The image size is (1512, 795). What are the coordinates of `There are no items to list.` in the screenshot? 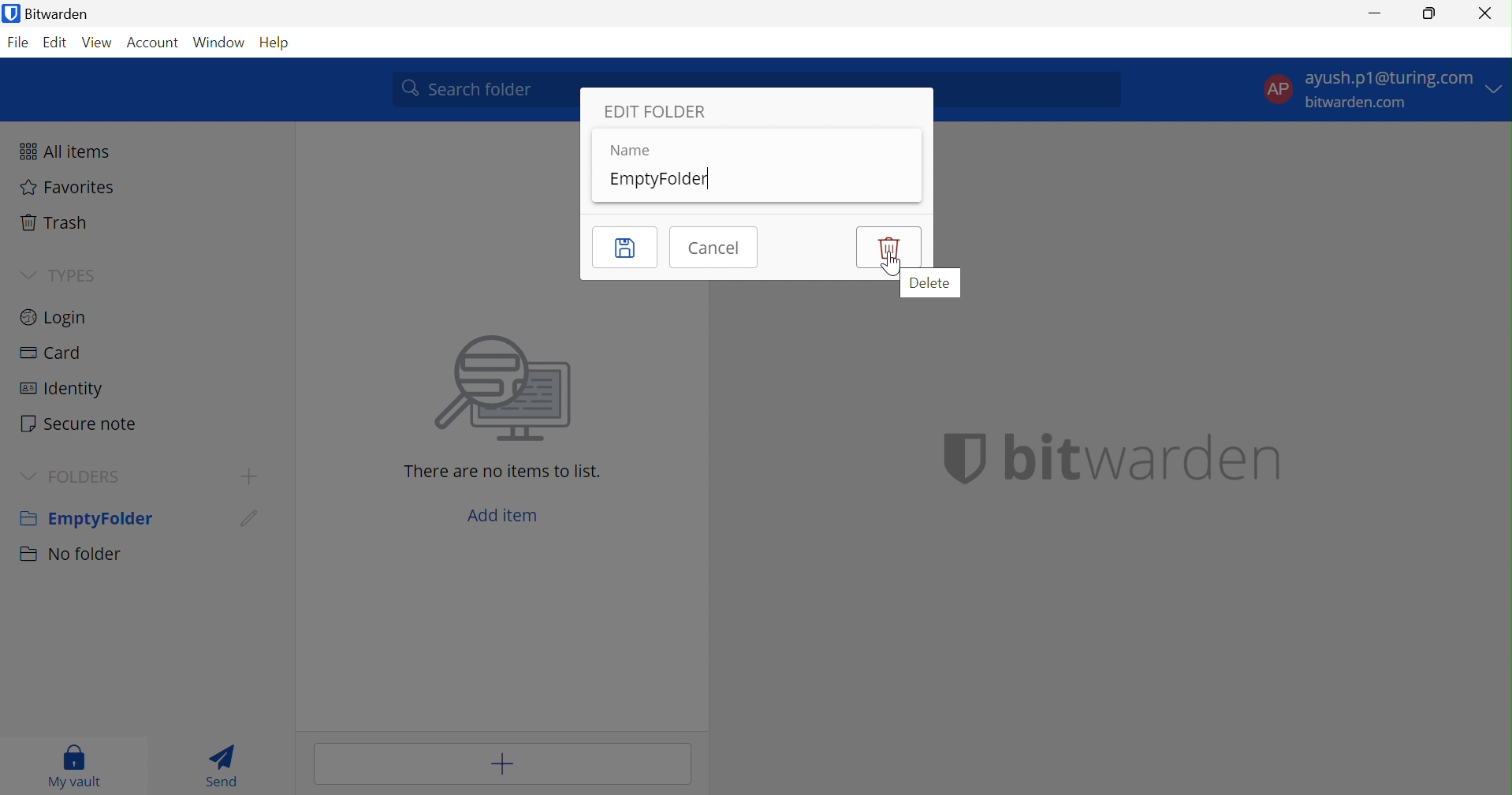 It's located at (502, 472).